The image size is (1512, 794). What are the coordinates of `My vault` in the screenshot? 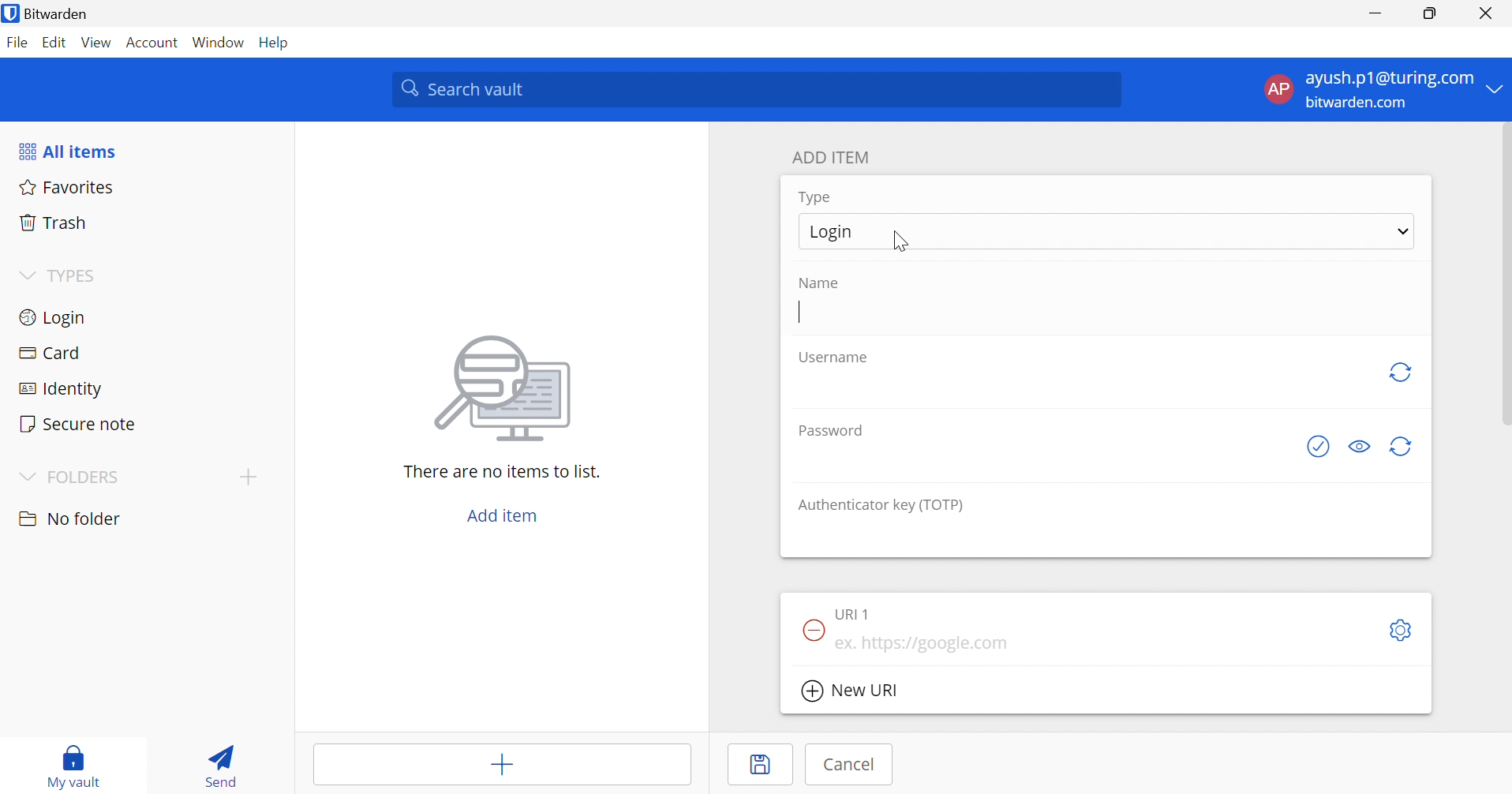 It's located at (80, 755).